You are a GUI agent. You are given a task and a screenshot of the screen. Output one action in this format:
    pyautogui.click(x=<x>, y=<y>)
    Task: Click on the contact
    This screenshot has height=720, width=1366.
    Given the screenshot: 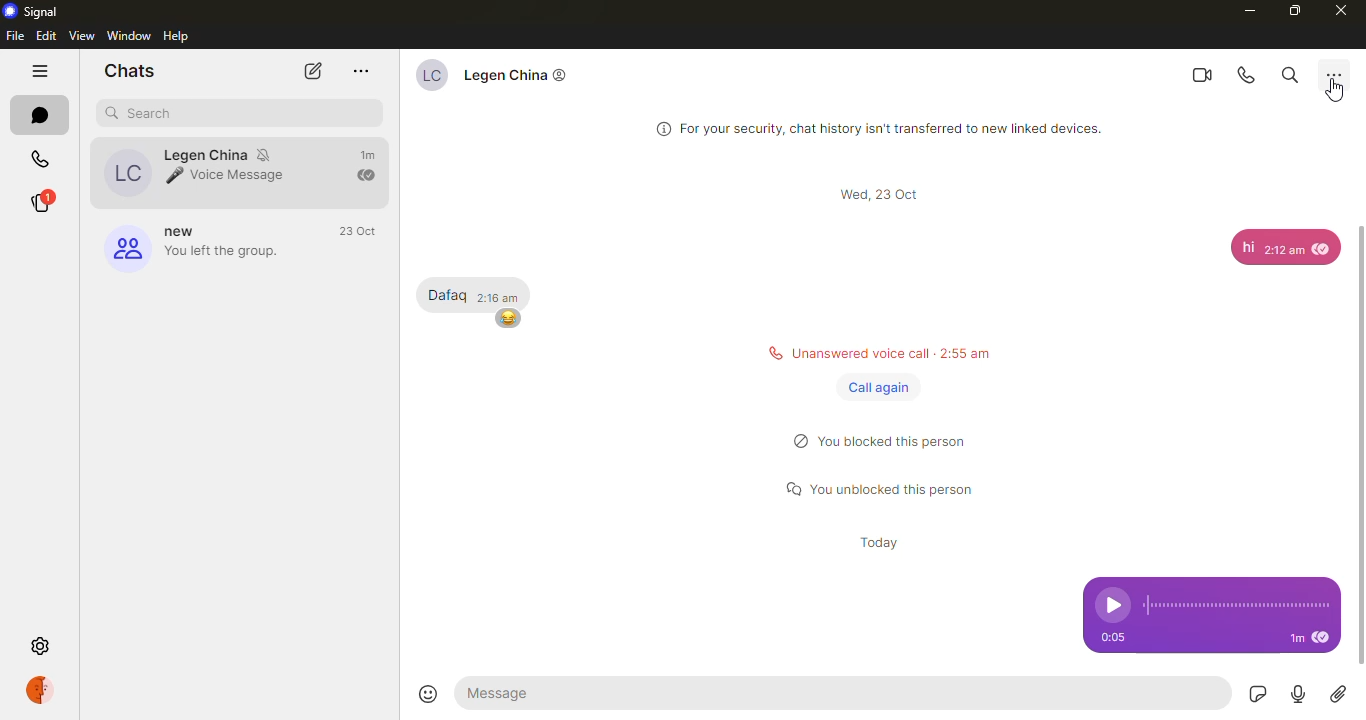 What is the action you would take?
    pyautogui.click(x=507, y=79)
    